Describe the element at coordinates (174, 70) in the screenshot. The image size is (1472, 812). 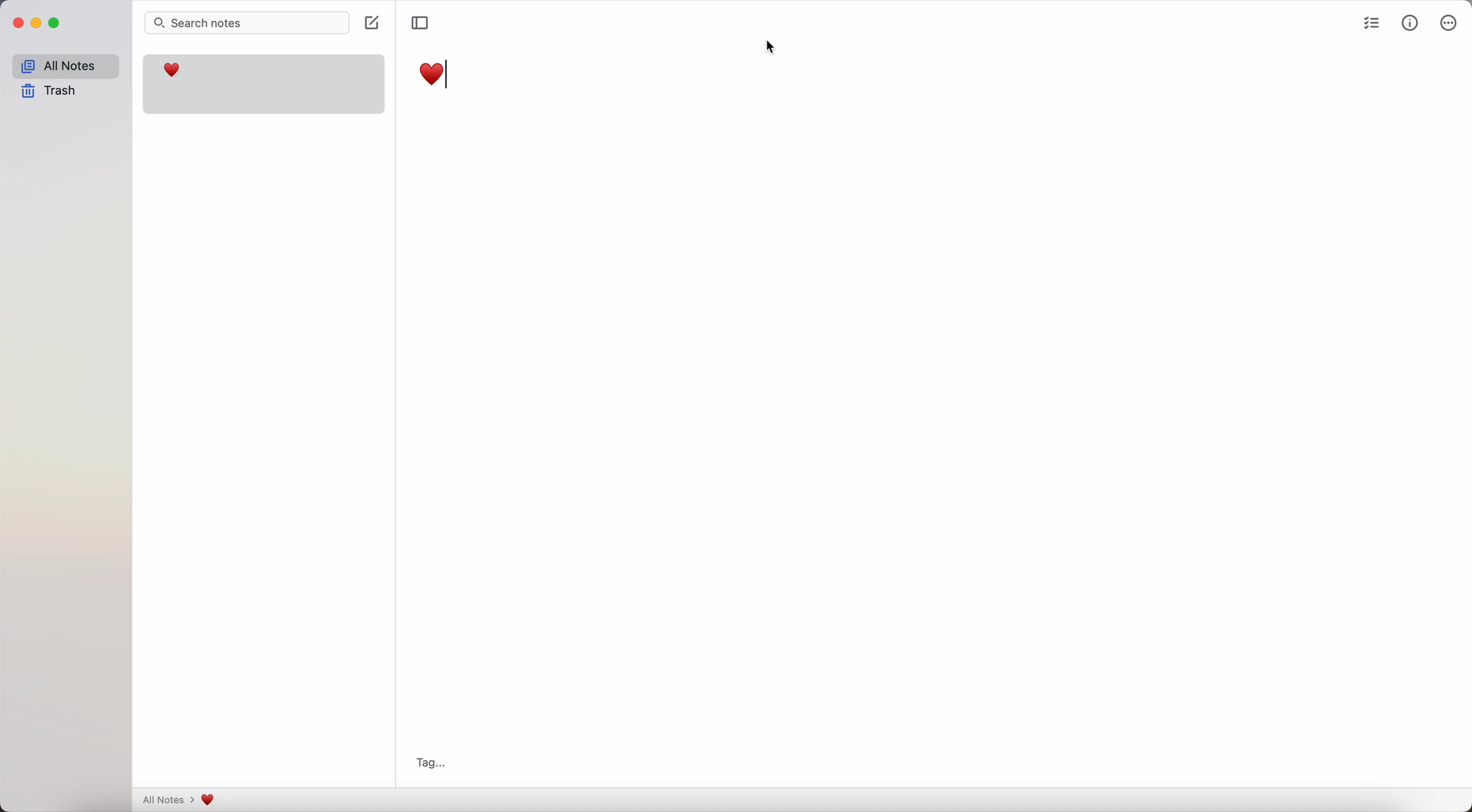
I see `heart` at that location.